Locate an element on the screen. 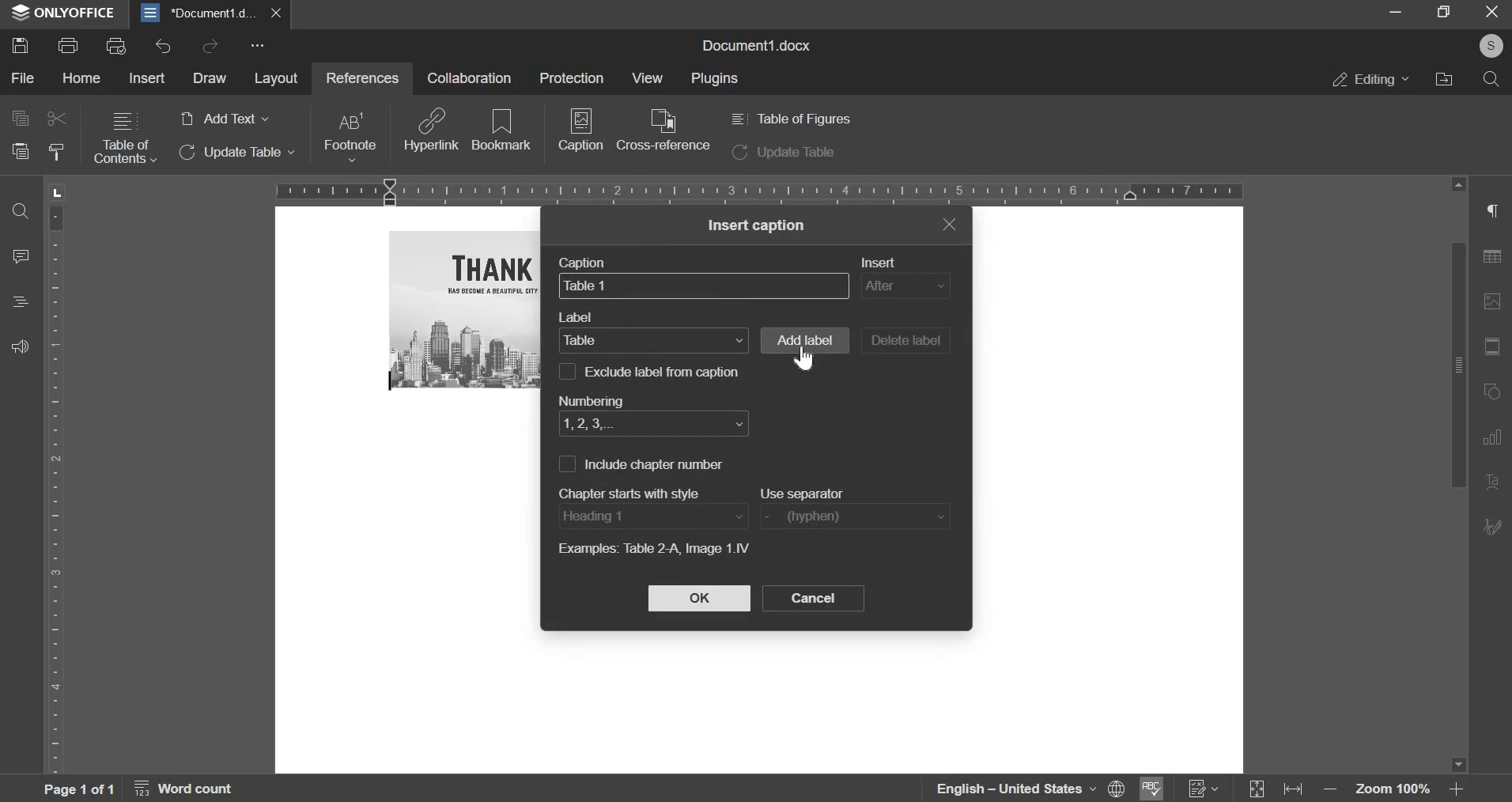 Image resolution: width=1512 pixels, height=802 pixels. use separator is located at coordinates (854, 516).